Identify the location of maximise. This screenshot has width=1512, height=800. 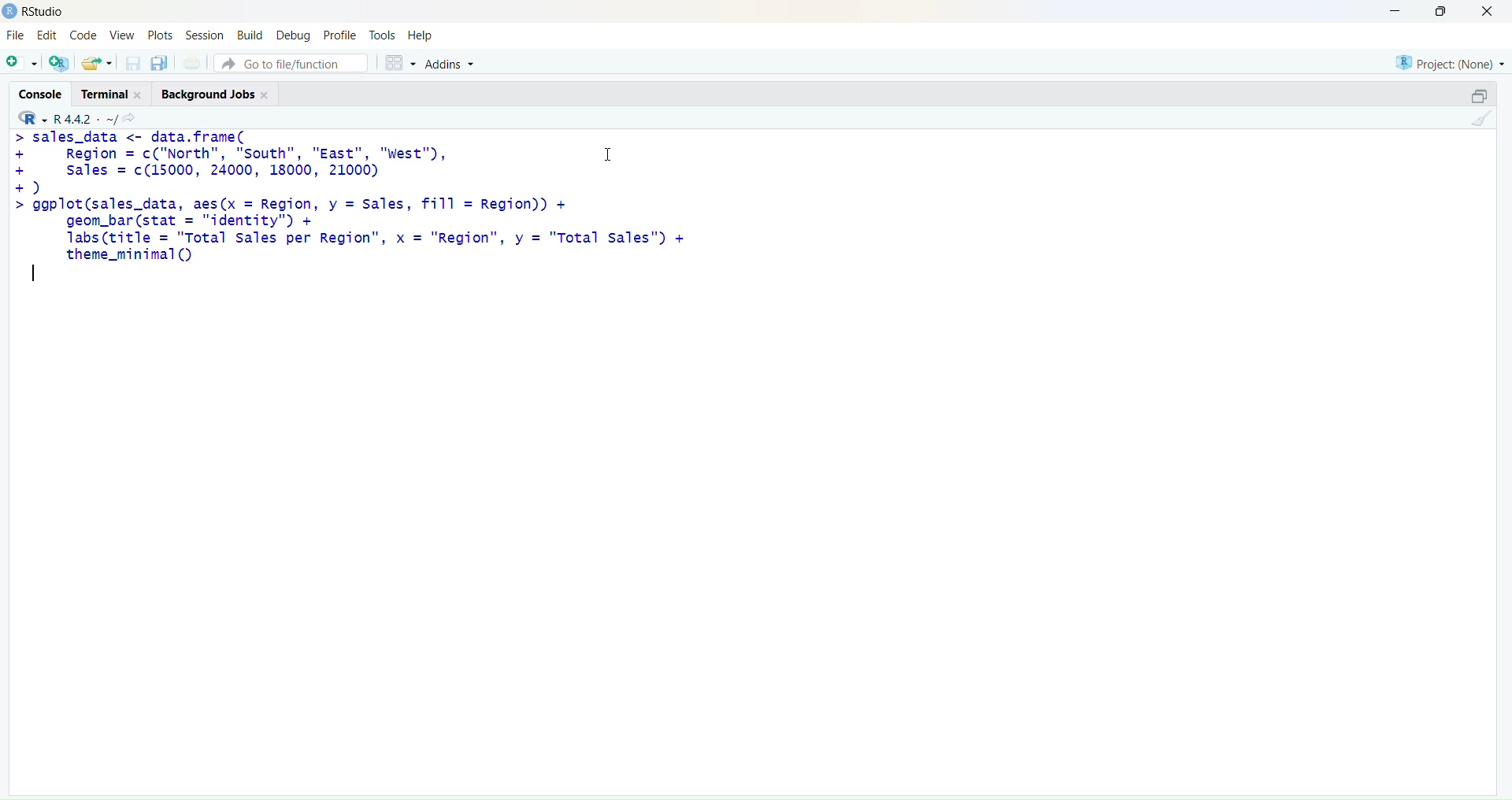
(1444, 11).